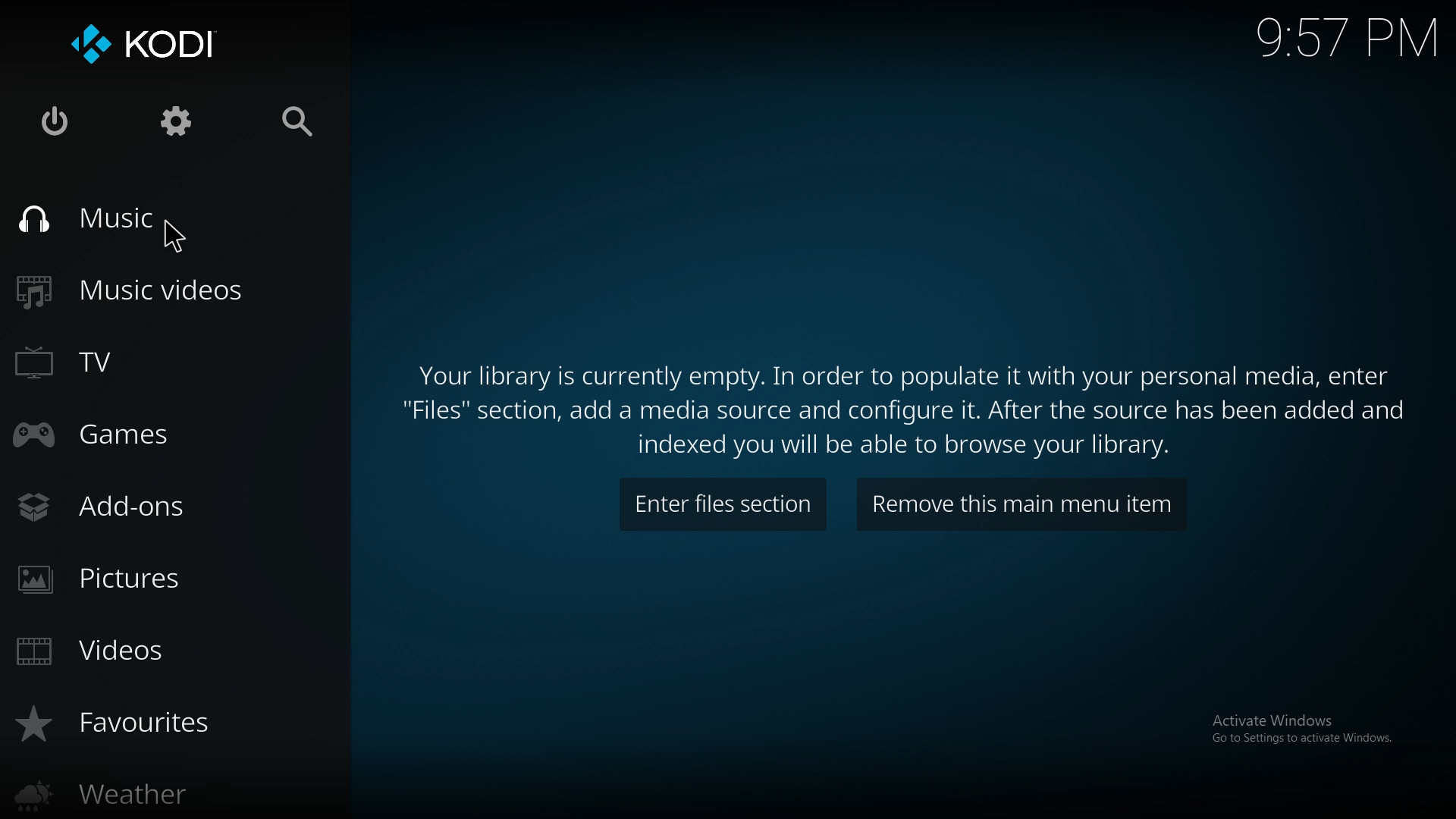  I want to click on enter files section, so click(723, 504).